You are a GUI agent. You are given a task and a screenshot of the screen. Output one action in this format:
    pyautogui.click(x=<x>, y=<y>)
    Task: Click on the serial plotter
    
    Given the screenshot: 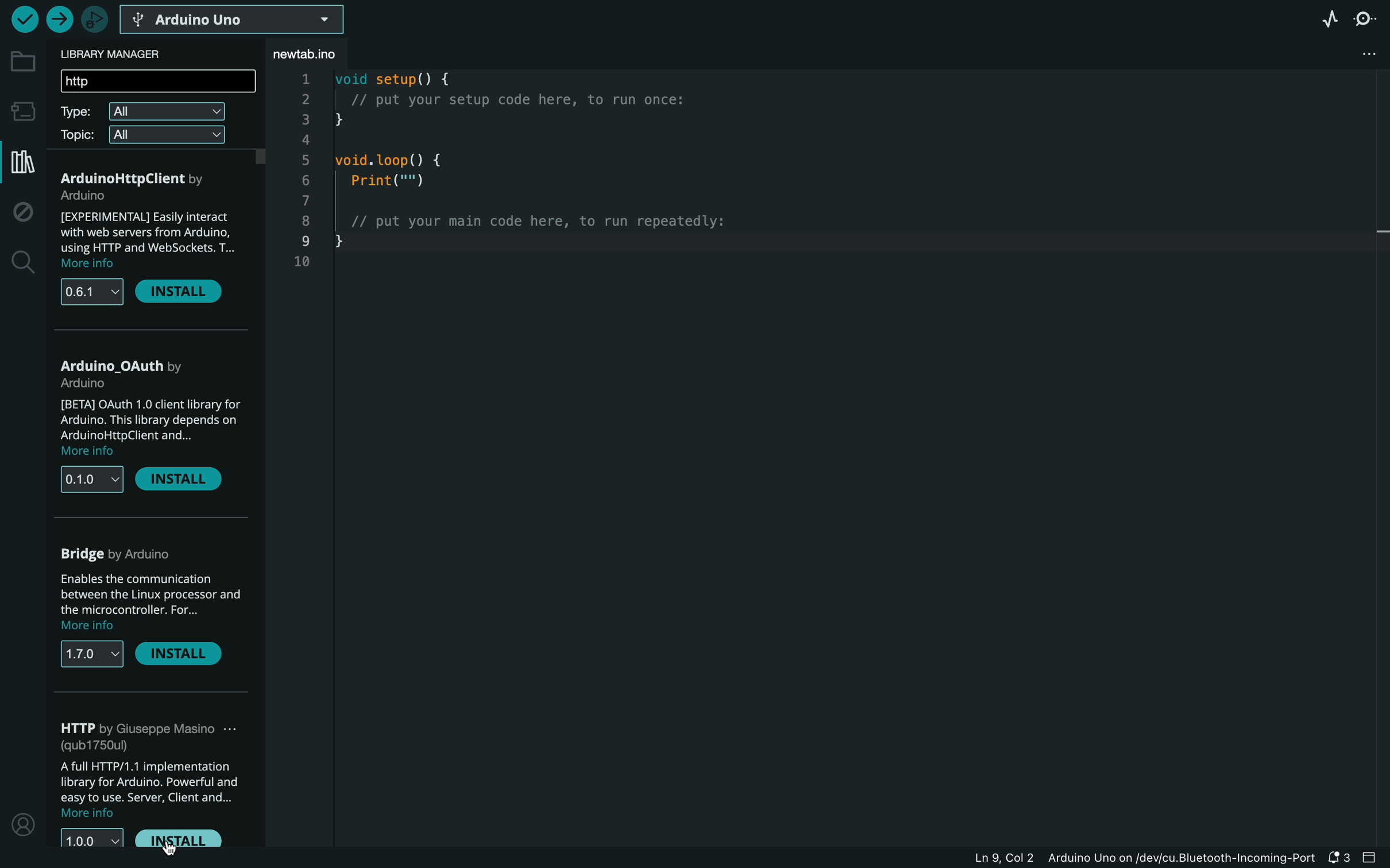 What is the action you would take?
    pyautogui.click(x=1326, y=17)
    